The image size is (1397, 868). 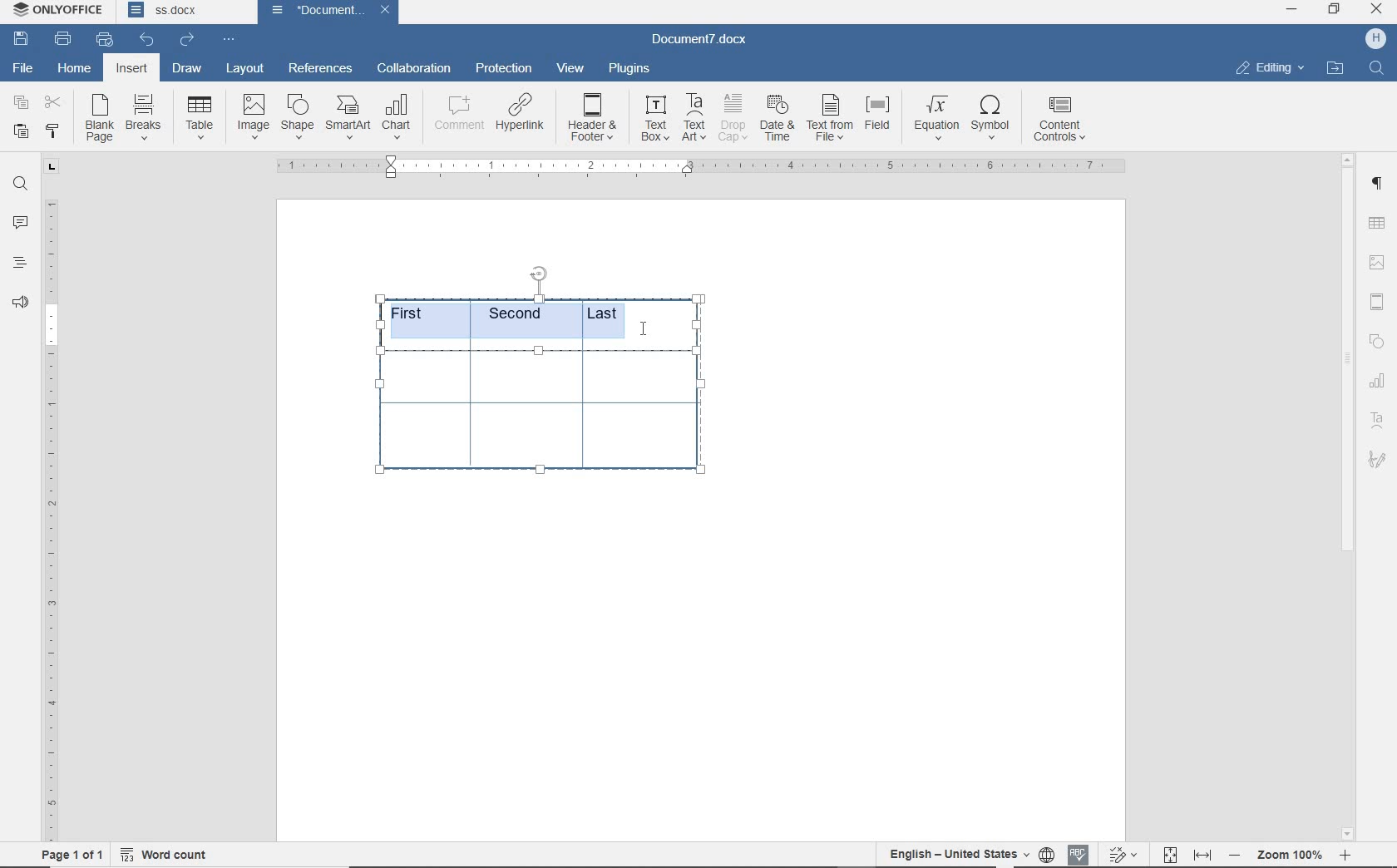 I want to click on system name, so click(x=59, y=11).